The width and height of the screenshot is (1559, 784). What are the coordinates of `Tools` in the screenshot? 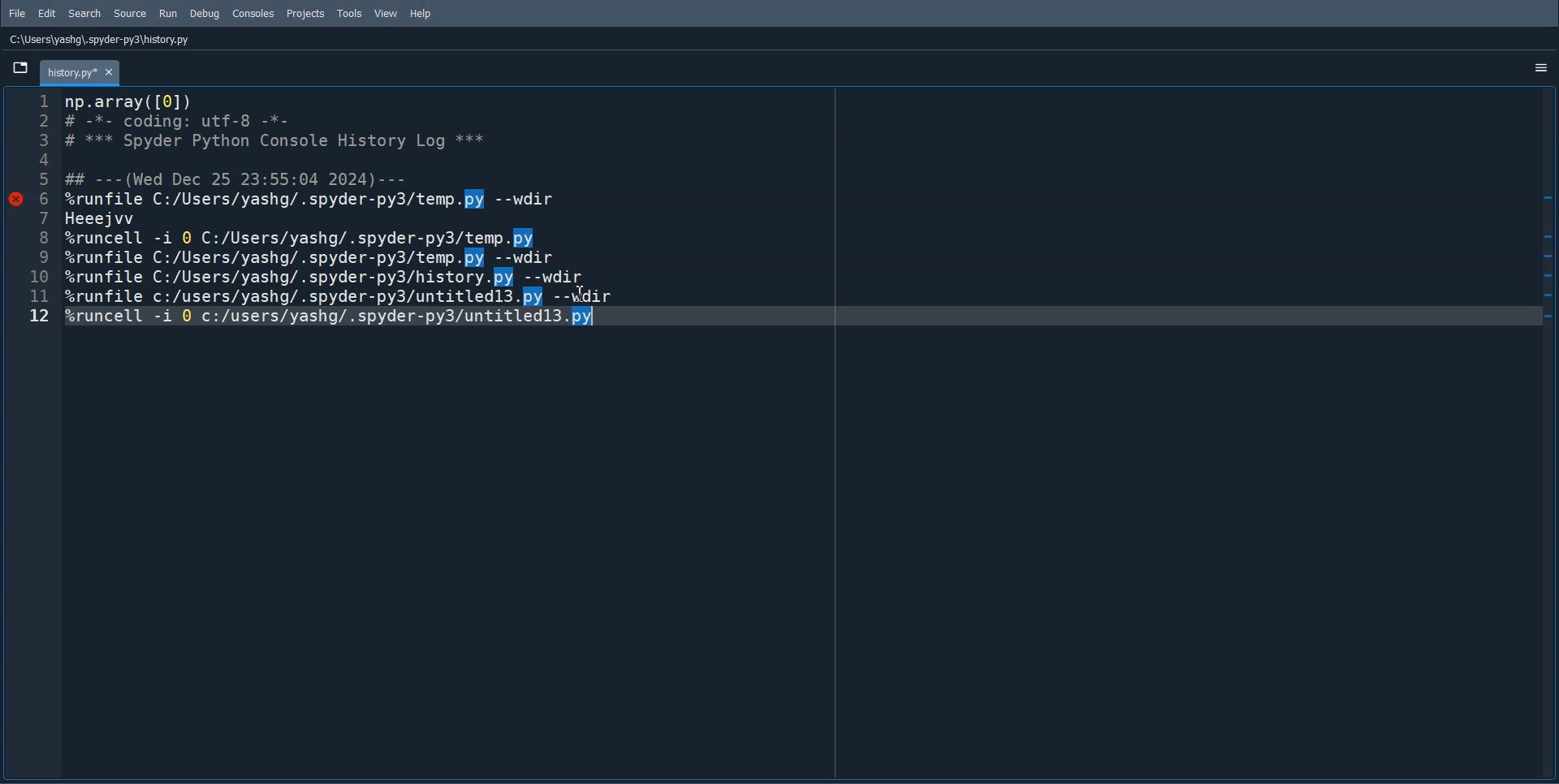 It's located at (350, 13).